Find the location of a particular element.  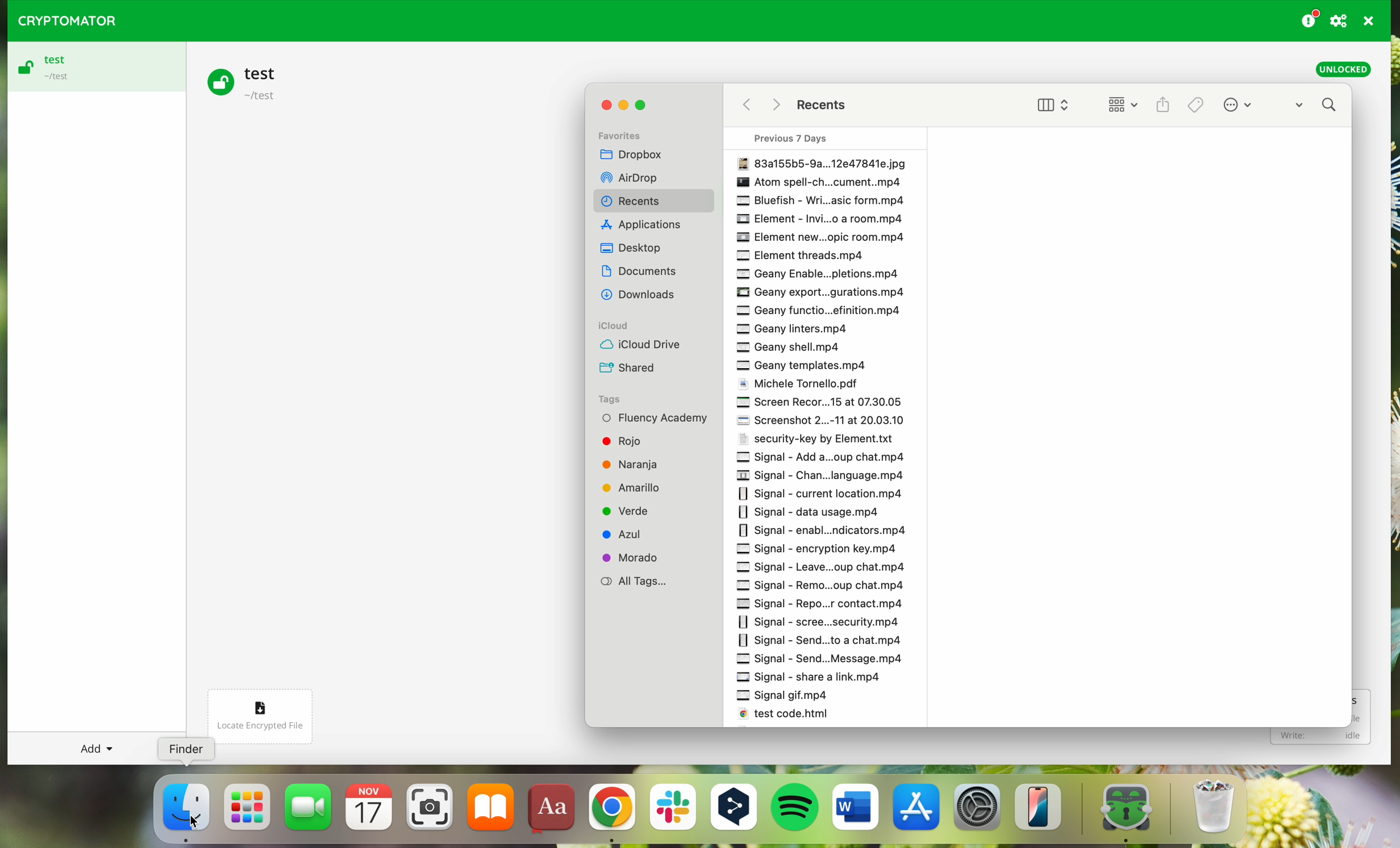

Michele Tortello is located at coordinates (805, 386).